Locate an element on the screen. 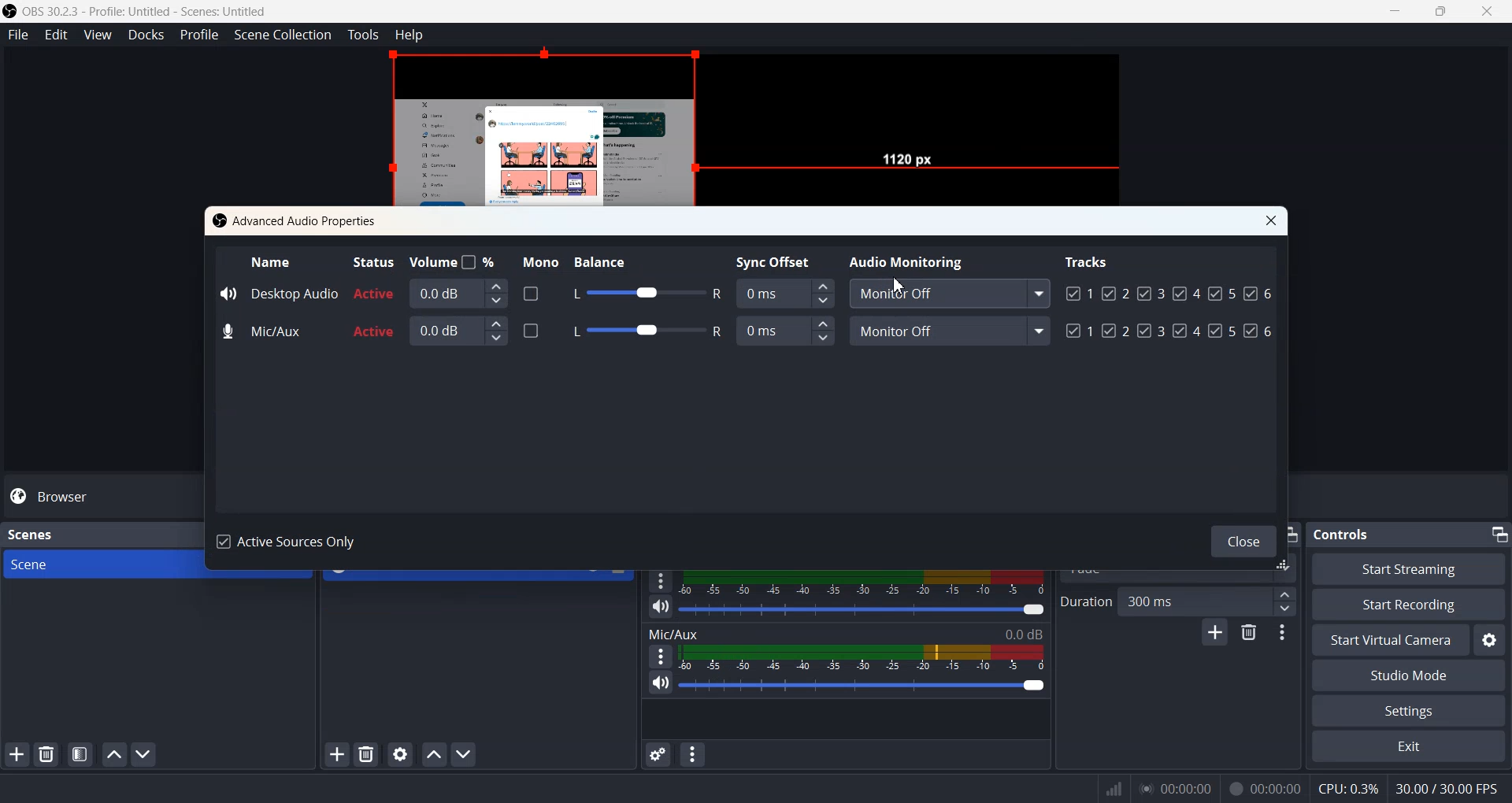  ‘OBS 30.2.3 - Profile: Untitled - Scenes: Untitled is located at coordinates (148, 11).